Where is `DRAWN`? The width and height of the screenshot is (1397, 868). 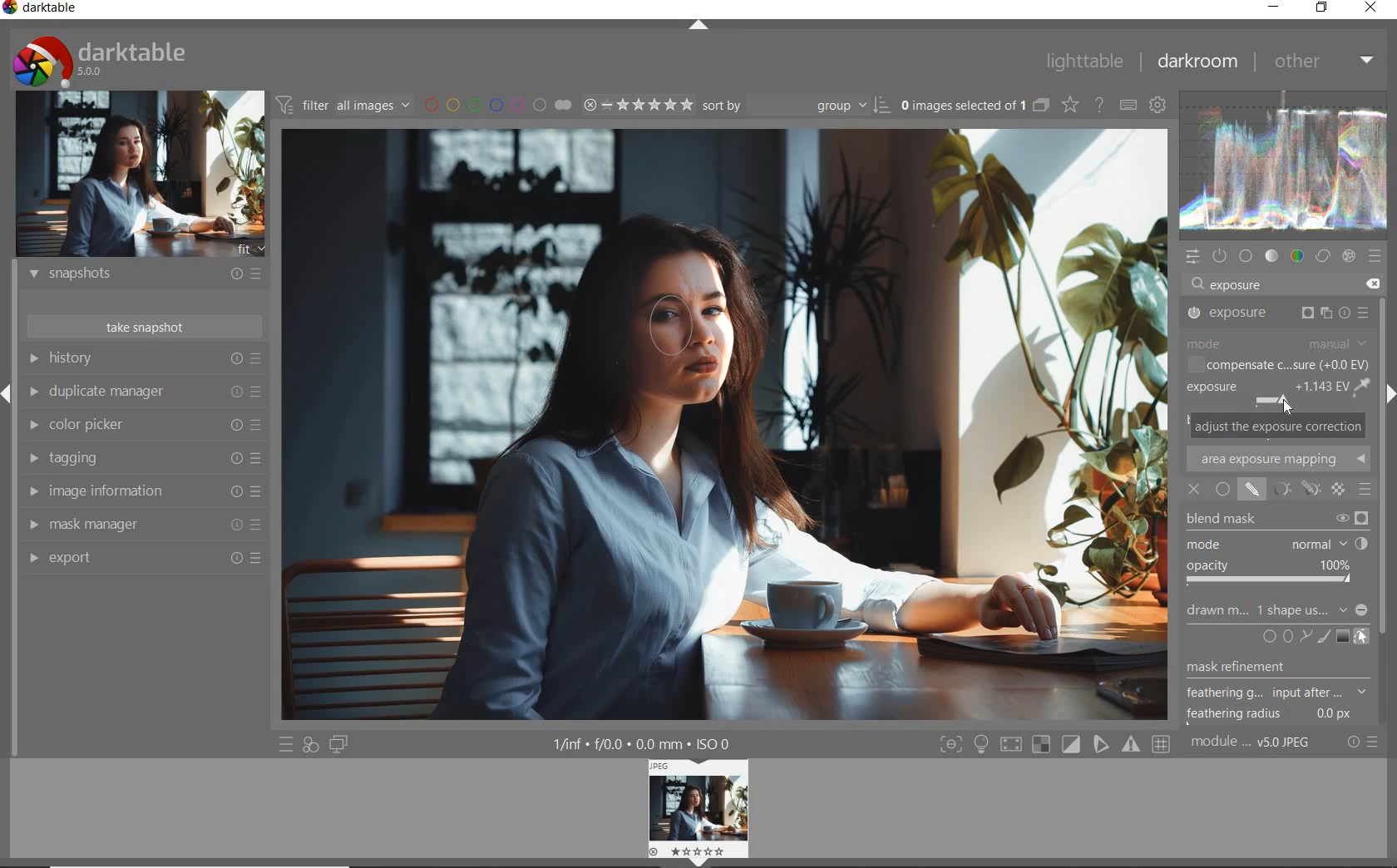 DRAWN is located at coordinates (1277, 612).